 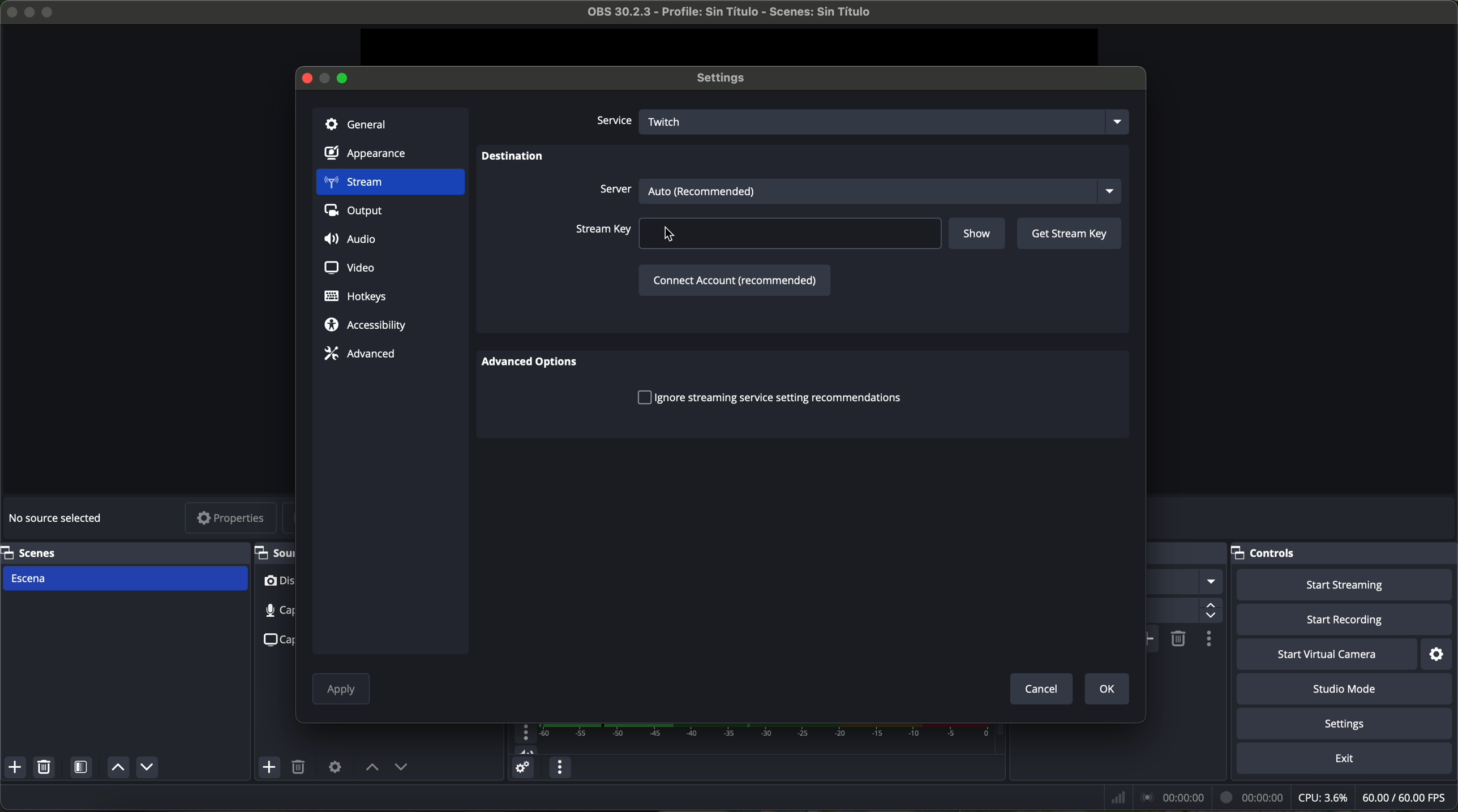 What do you see at coordinates (1345, 586) in the screenshot?
I see `click on start streaming` at bounding box center [1345, 586].